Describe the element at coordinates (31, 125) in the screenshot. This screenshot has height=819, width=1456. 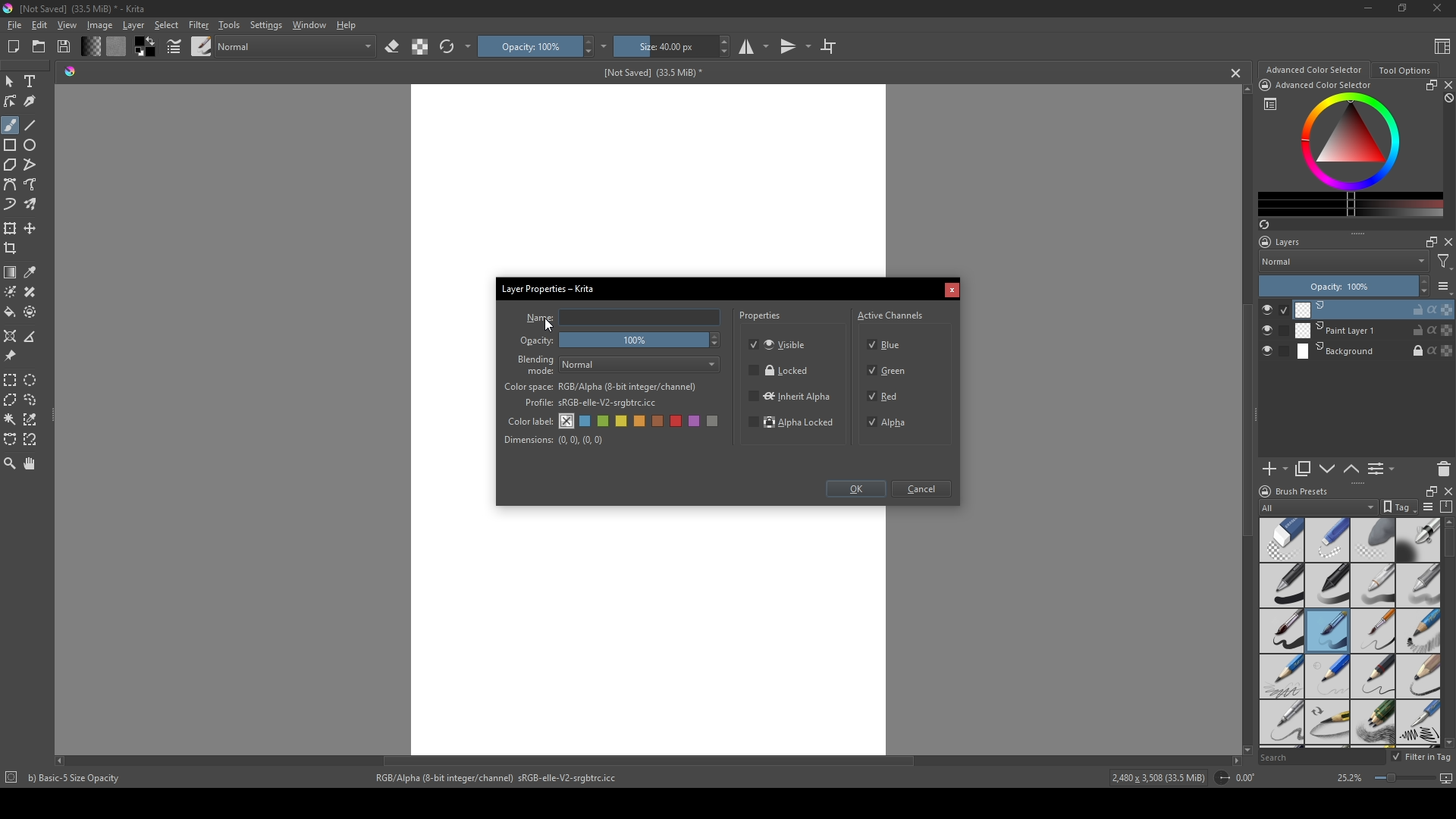
I see `line` at that location.